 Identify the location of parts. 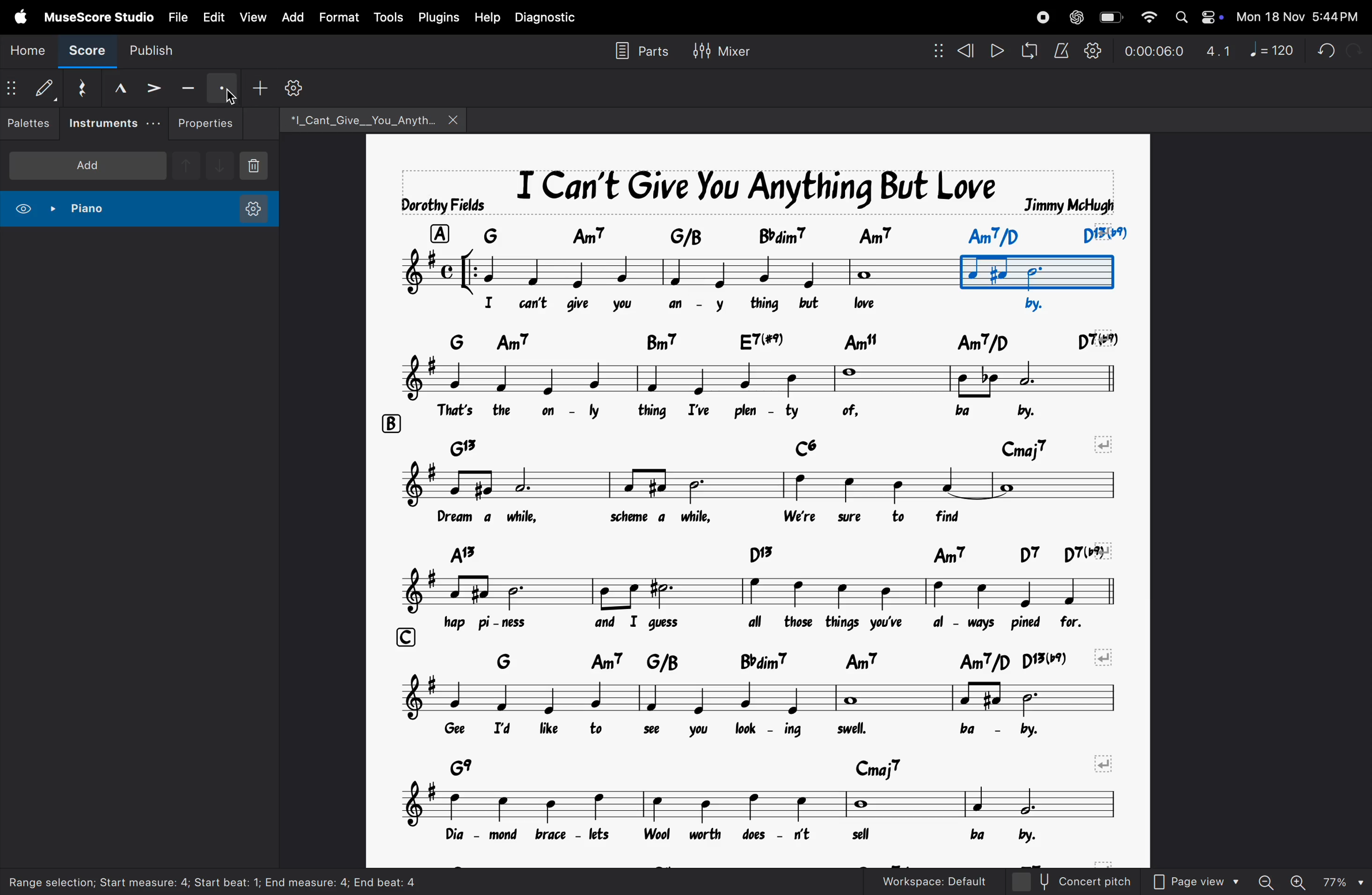
(641, 51).